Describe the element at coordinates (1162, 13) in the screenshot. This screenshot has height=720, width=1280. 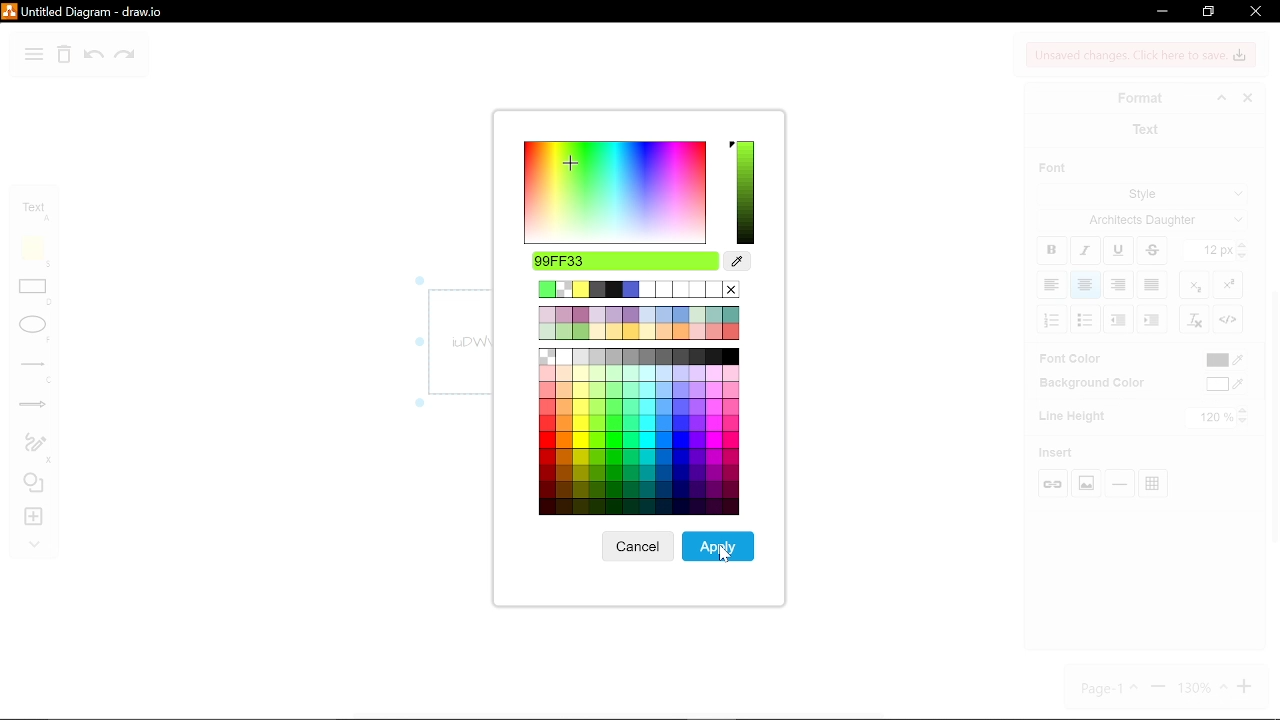
I see `minimize` at that location.